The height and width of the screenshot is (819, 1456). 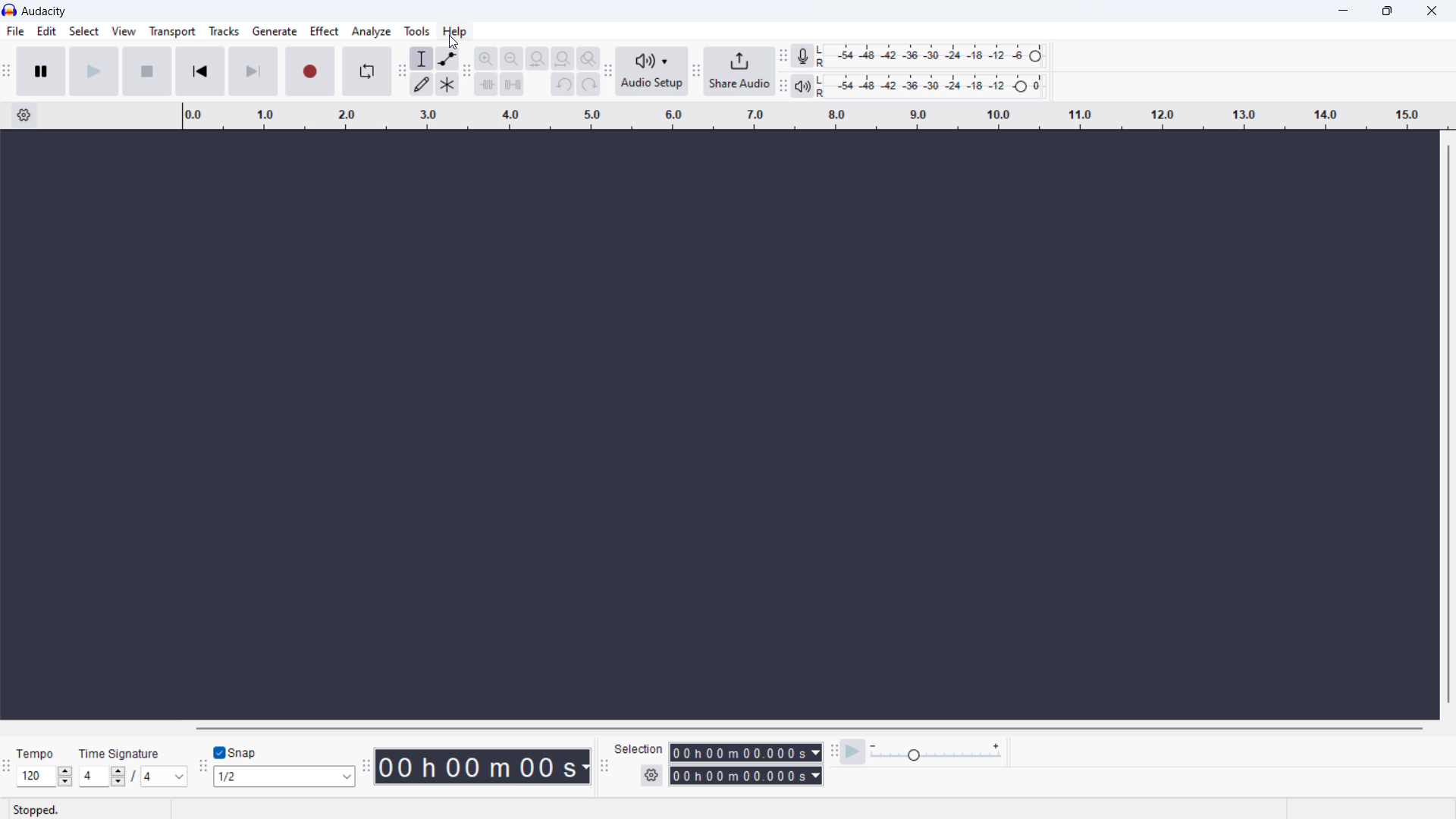 What do you see at coordinates (45, 777) in the screenshot?
I see `set tempo` at bounding box center [45, 777].